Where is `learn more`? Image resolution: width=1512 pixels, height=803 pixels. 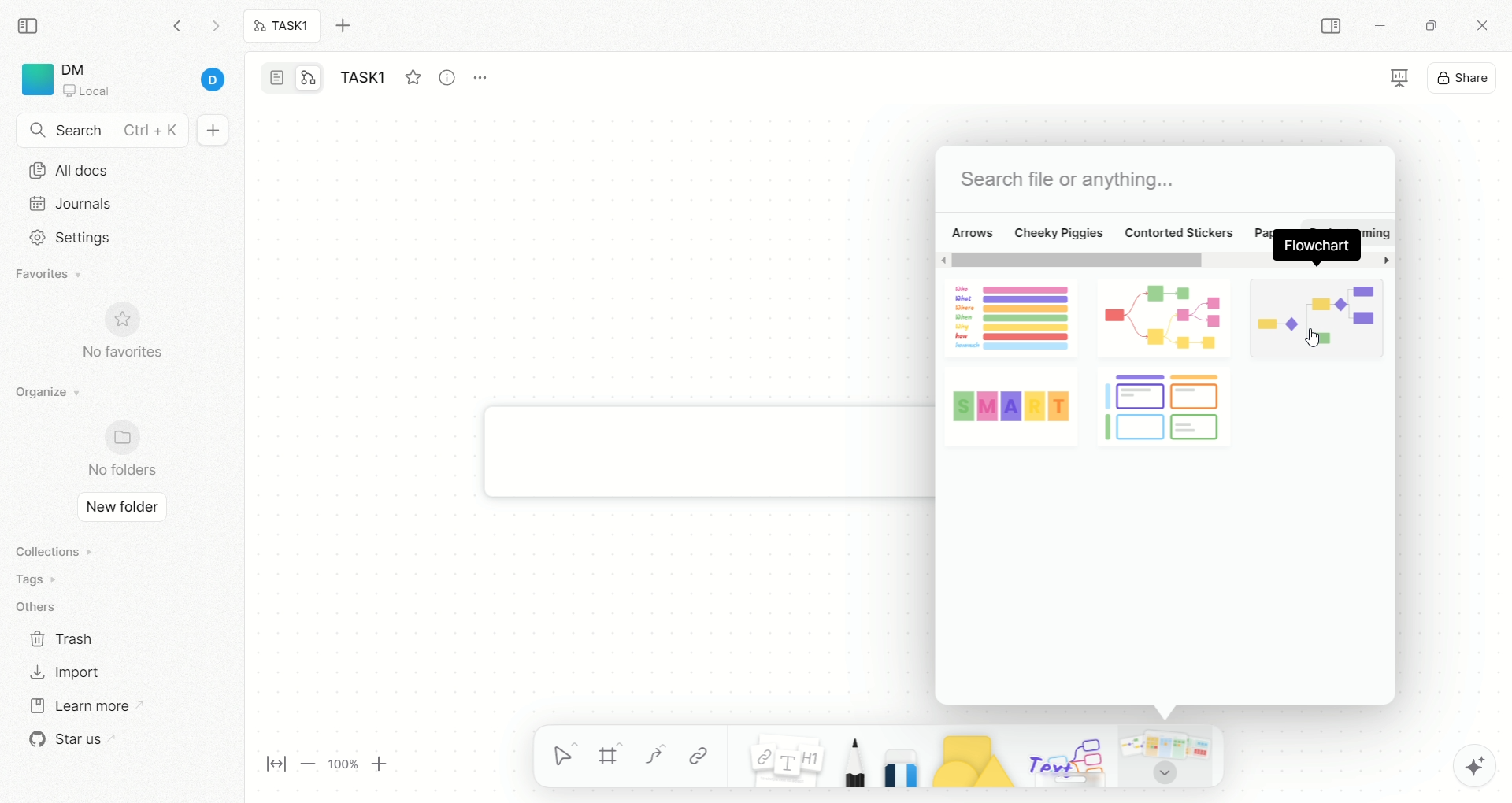
learn more is located at coordinates (78, 704).